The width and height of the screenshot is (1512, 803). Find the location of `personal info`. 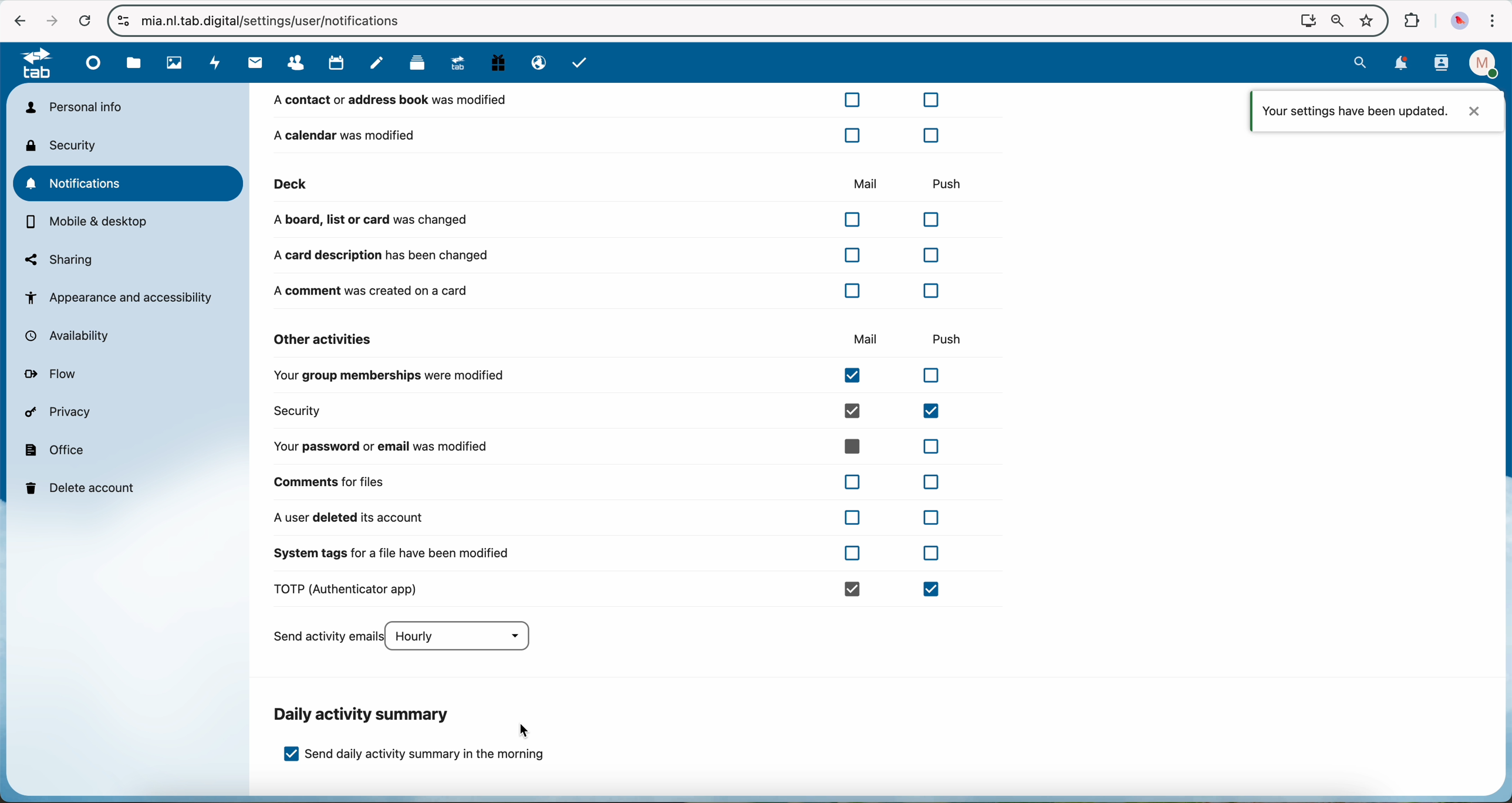

personal info is located at coordinates (73, 107).